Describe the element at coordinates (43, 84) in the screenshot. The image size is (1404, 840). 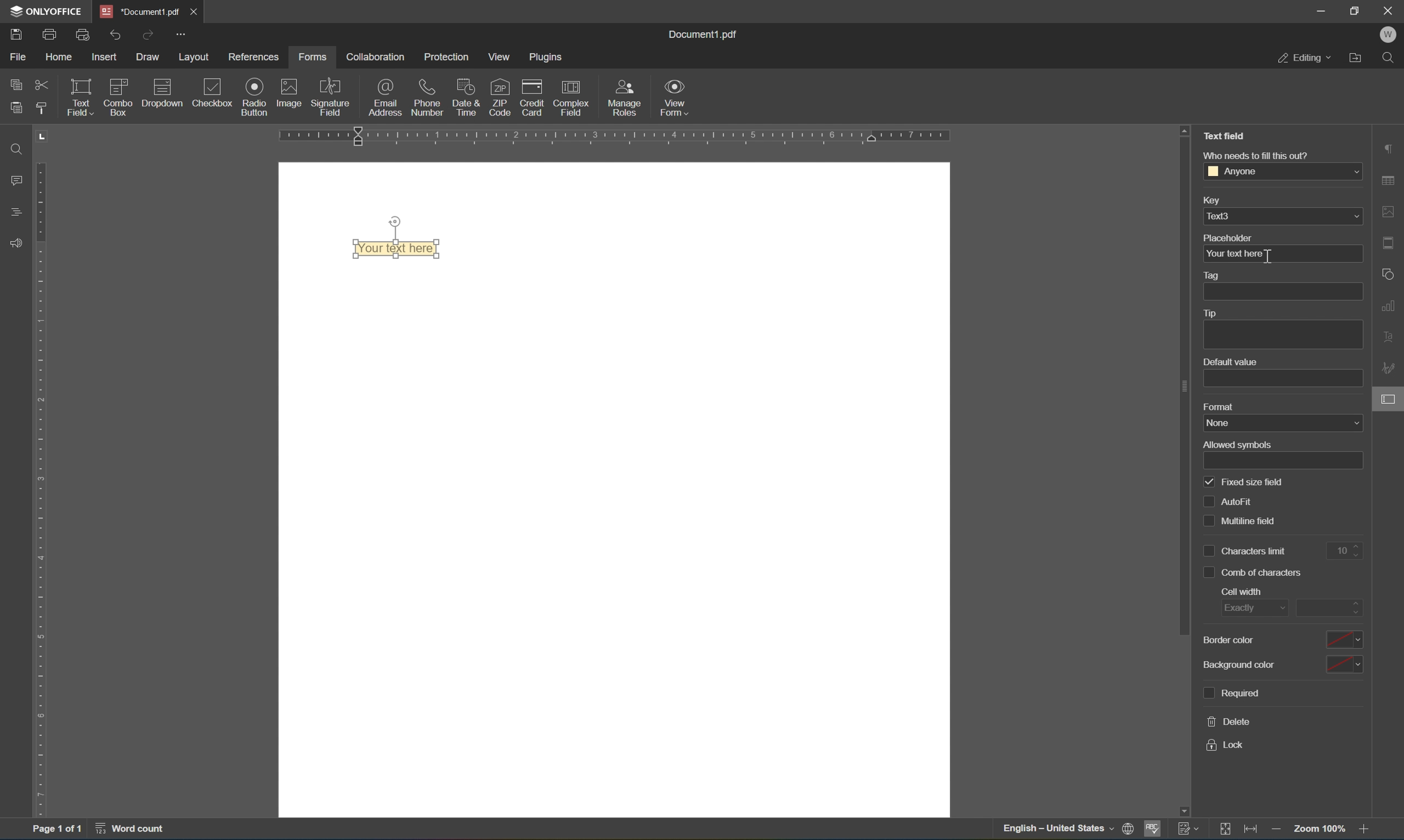
I see `cut` at that location.